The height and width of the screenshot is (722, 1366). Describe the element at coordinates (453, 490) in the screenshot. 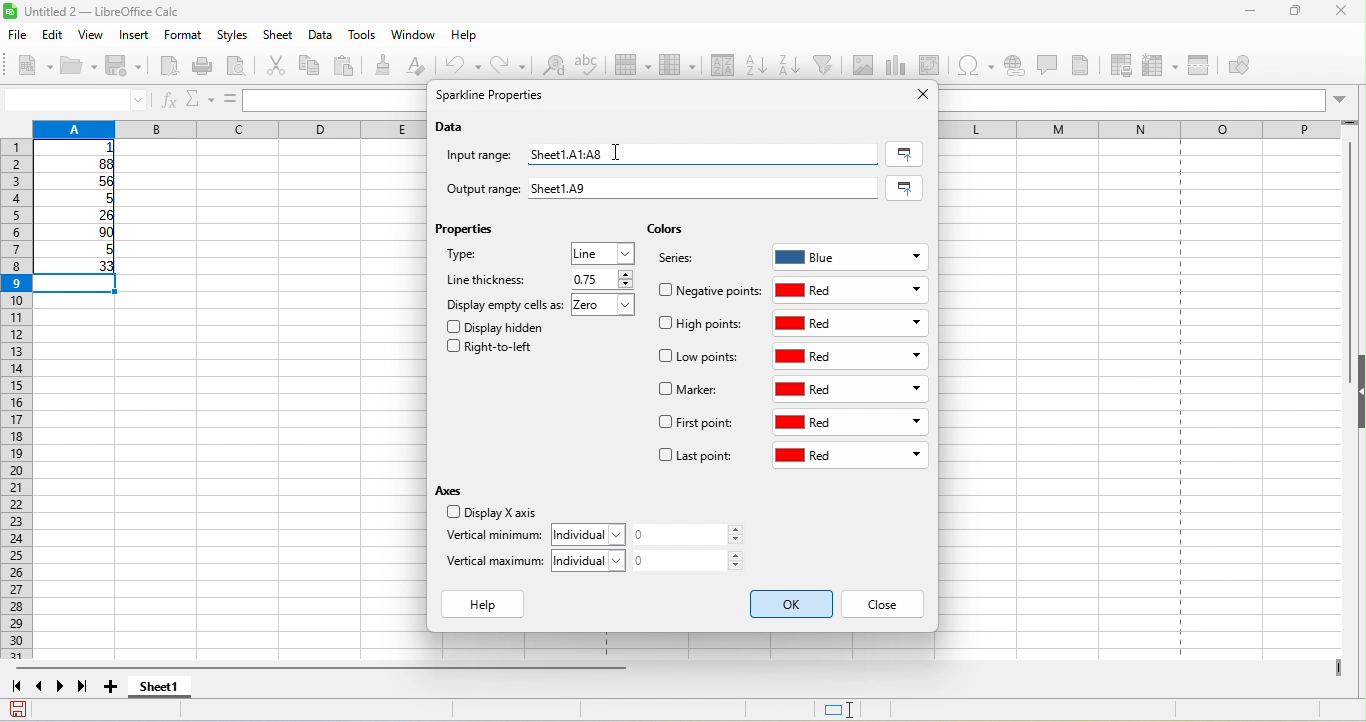

I see `axes` at that location.